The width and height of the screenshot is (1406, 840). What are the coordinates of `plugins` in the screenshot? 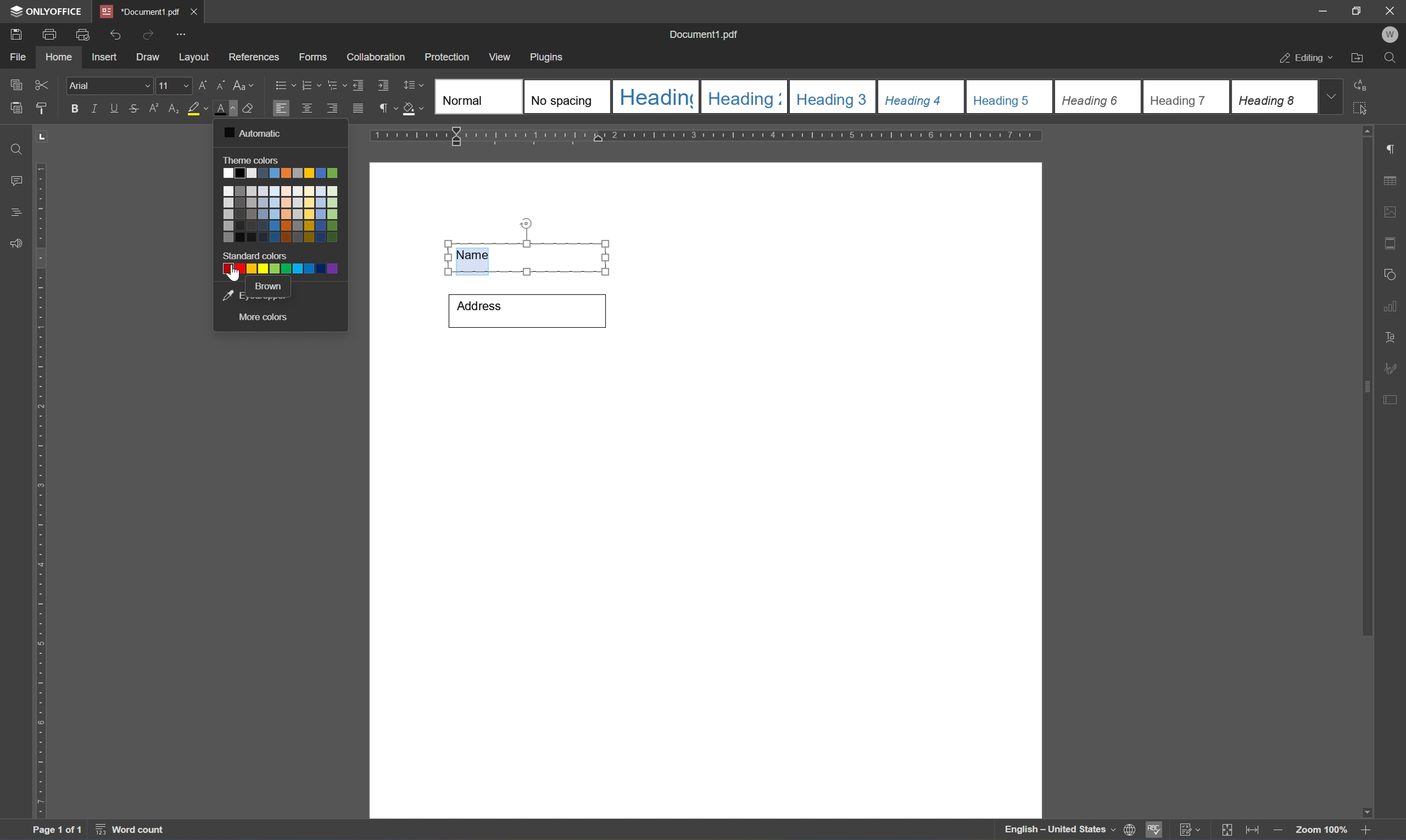 It's located at (551, 56).